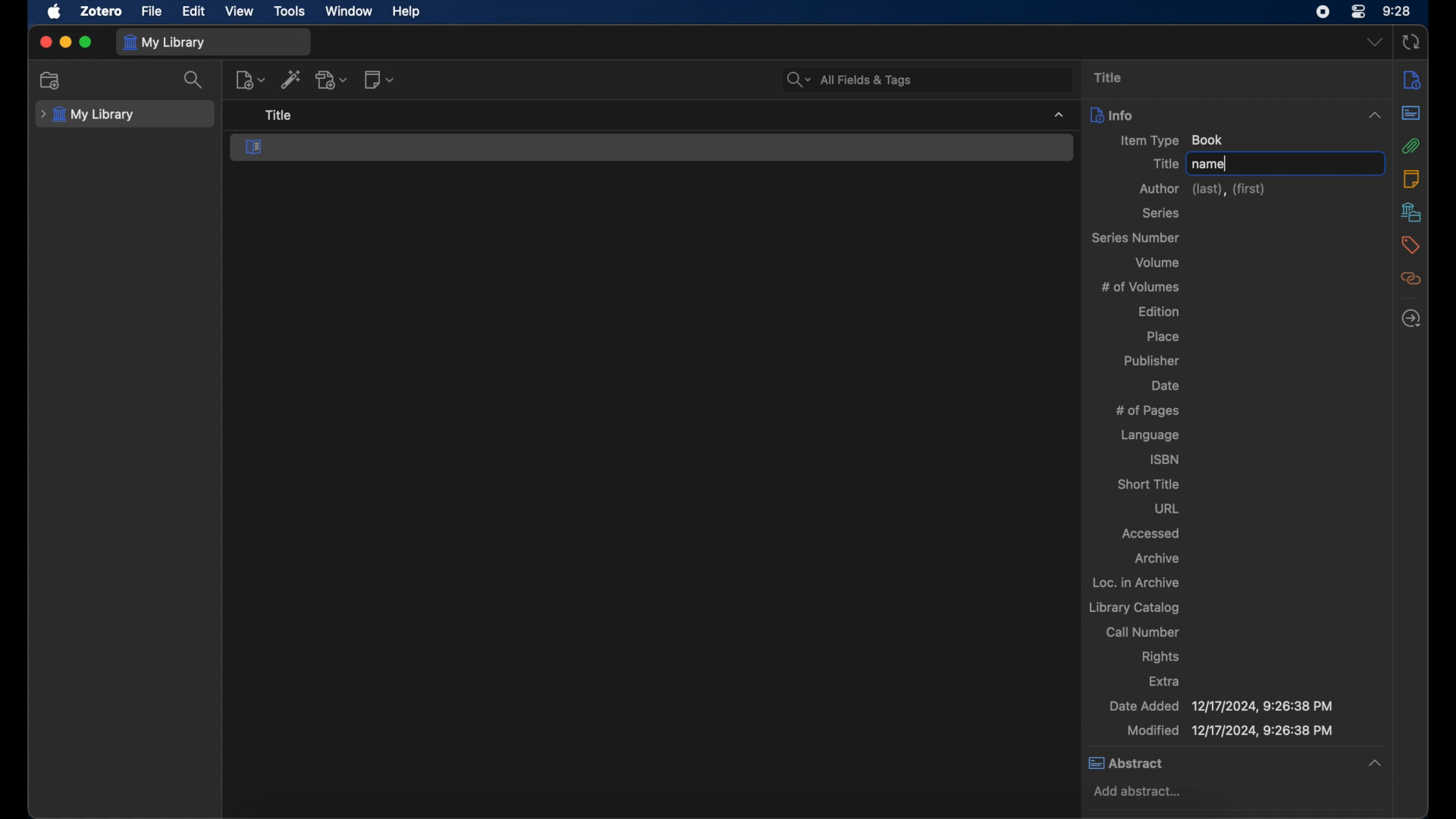 The height and width of the screenshot is (819, 1456). Describe the element at coordinates (1412, 178) in the screenshot. I see `notes` at that location.